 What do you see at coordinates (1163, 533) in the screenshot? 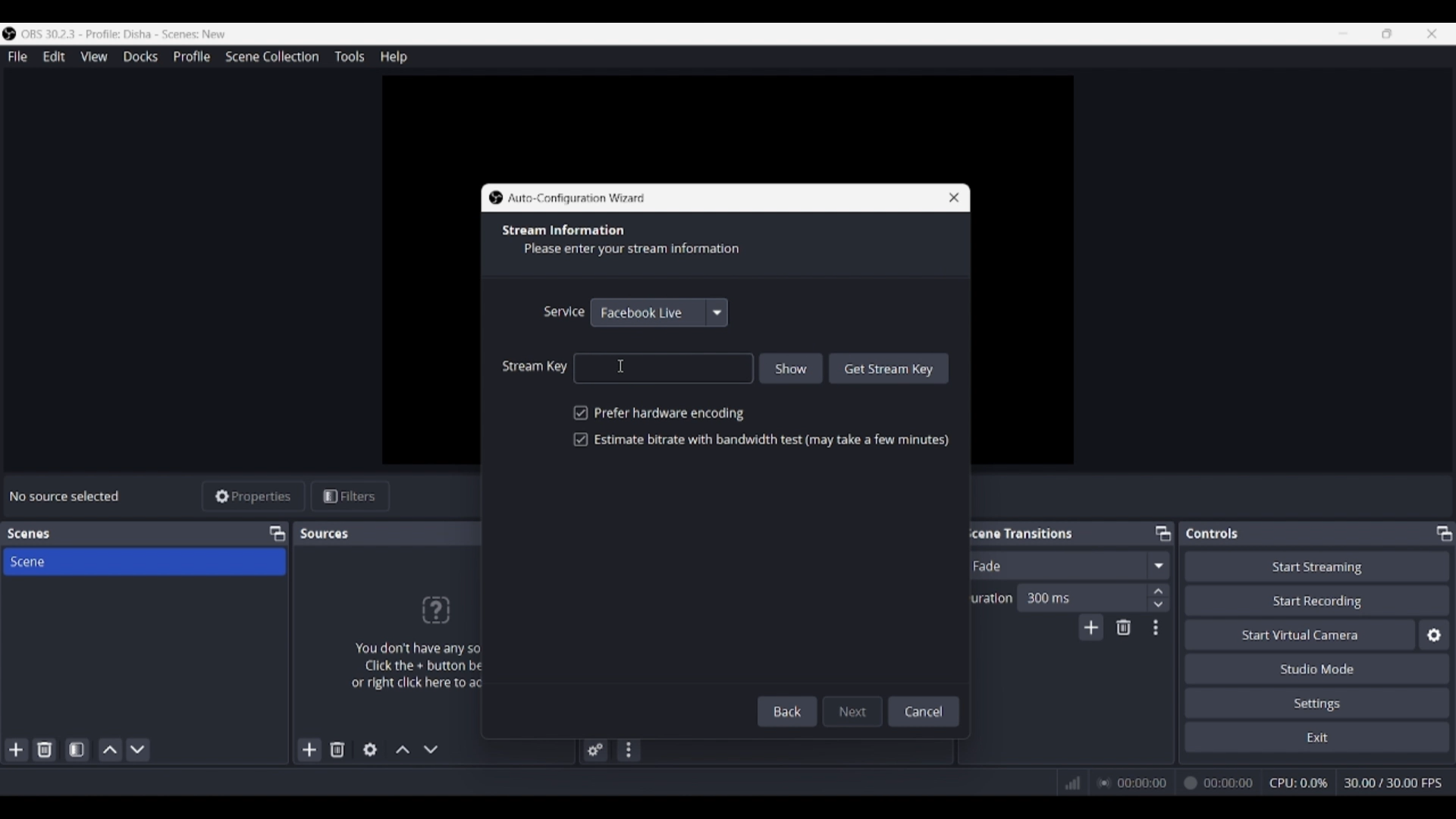
I see `Float Scene transitions panel` at bounding box center [1163, 533].